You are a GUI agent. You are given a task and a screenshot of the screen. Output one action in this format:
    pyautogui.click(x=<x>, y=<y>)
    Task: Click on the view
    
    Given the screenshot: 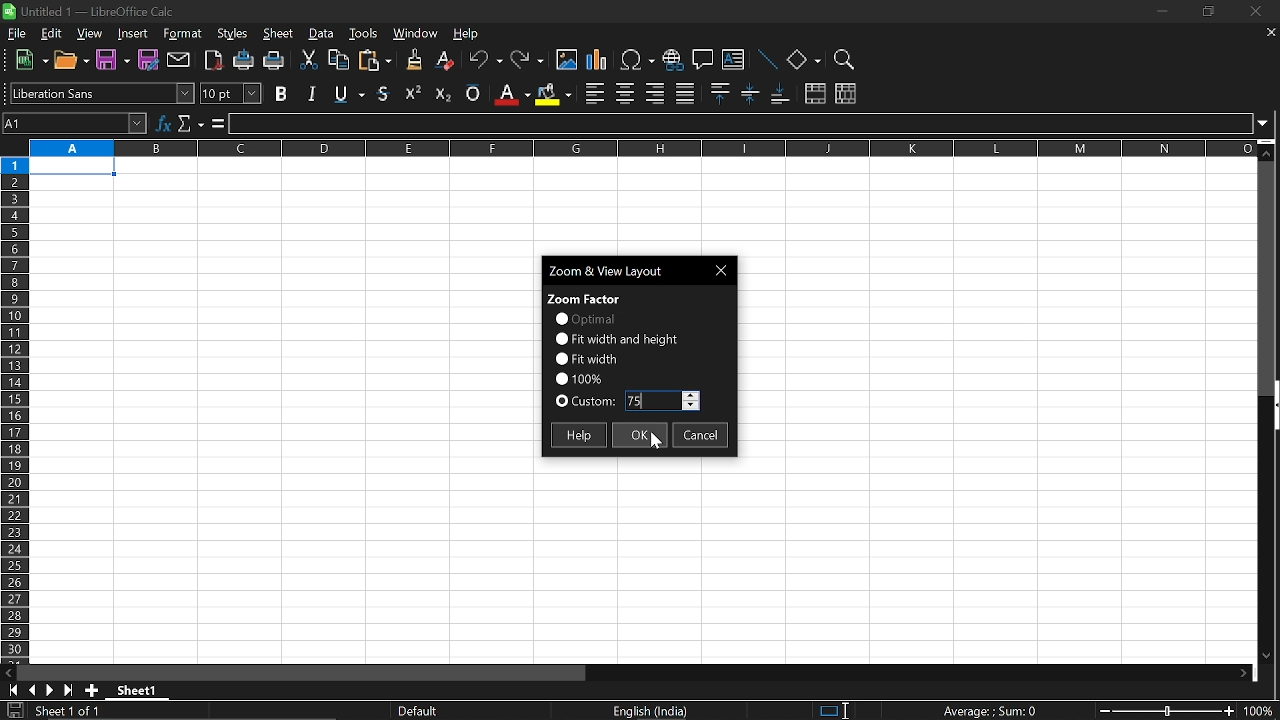 What is the action you would take?
    pyautogui.click(x=91, y=35)
    